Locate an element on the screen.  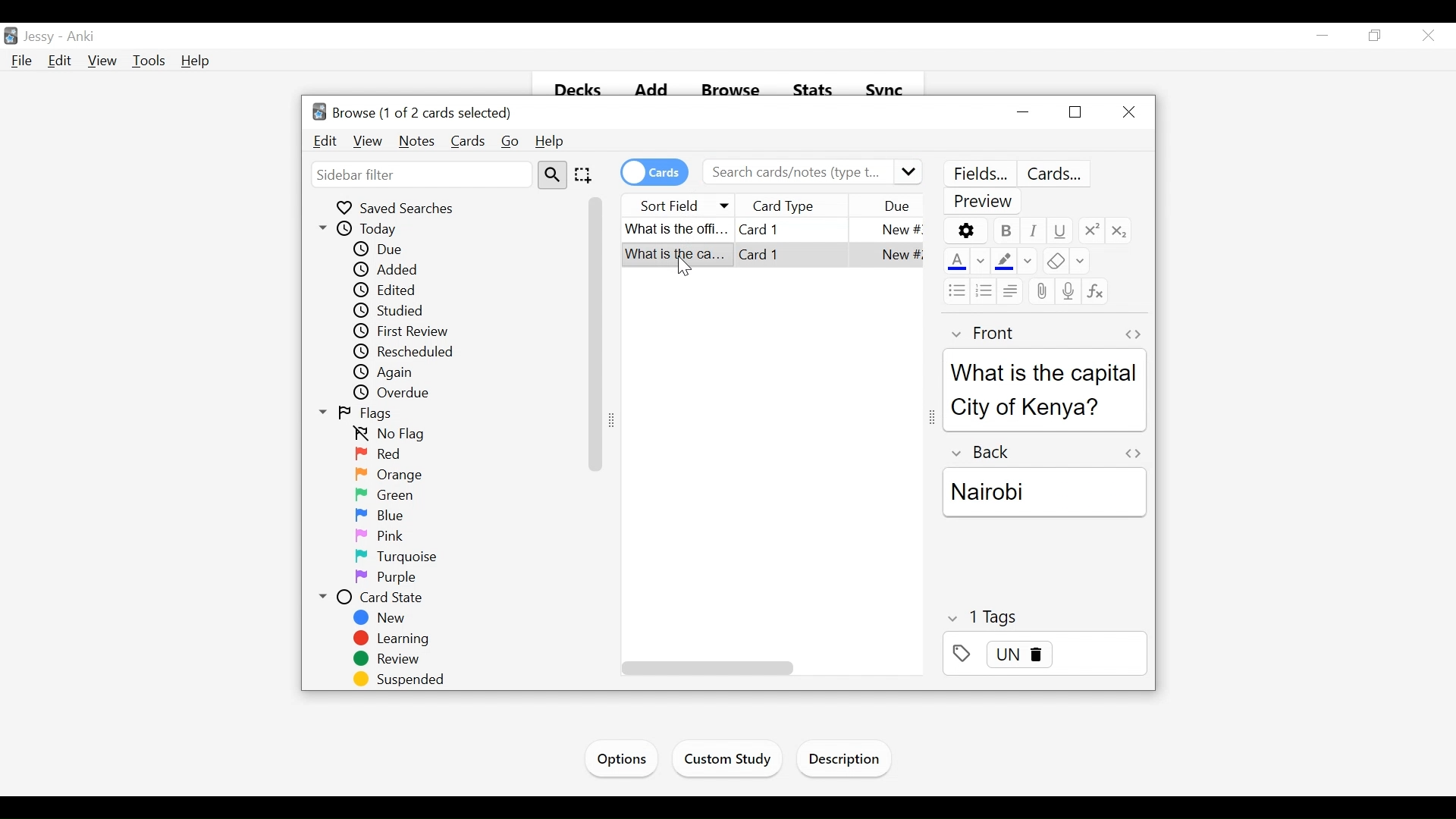
Change color is located at coordinates (1080, 262).